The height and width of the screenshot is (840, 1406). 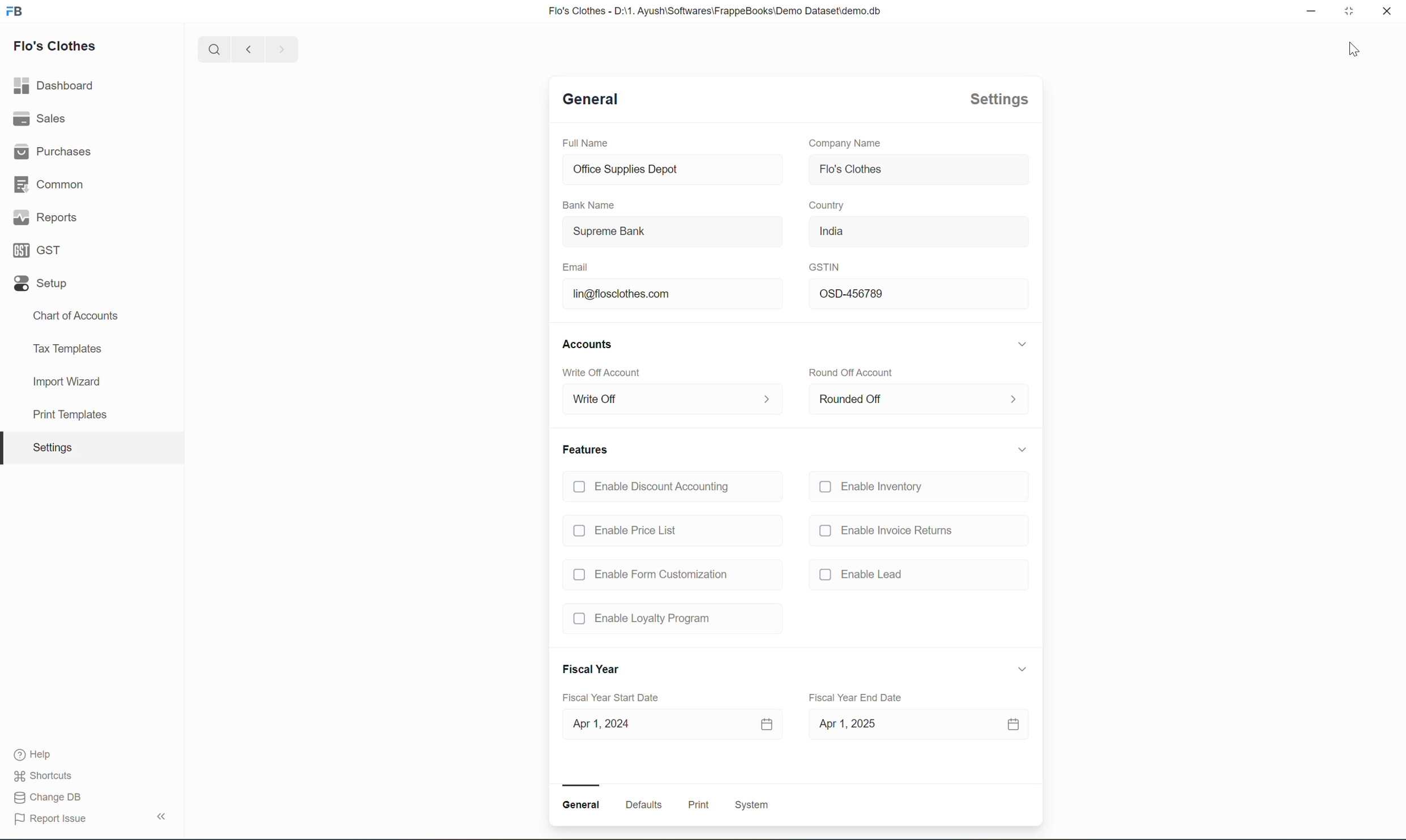 What do you see at coordinates (1352, 50) in the screenshot?
I see `cursor` at bounding box center [1352, 50].